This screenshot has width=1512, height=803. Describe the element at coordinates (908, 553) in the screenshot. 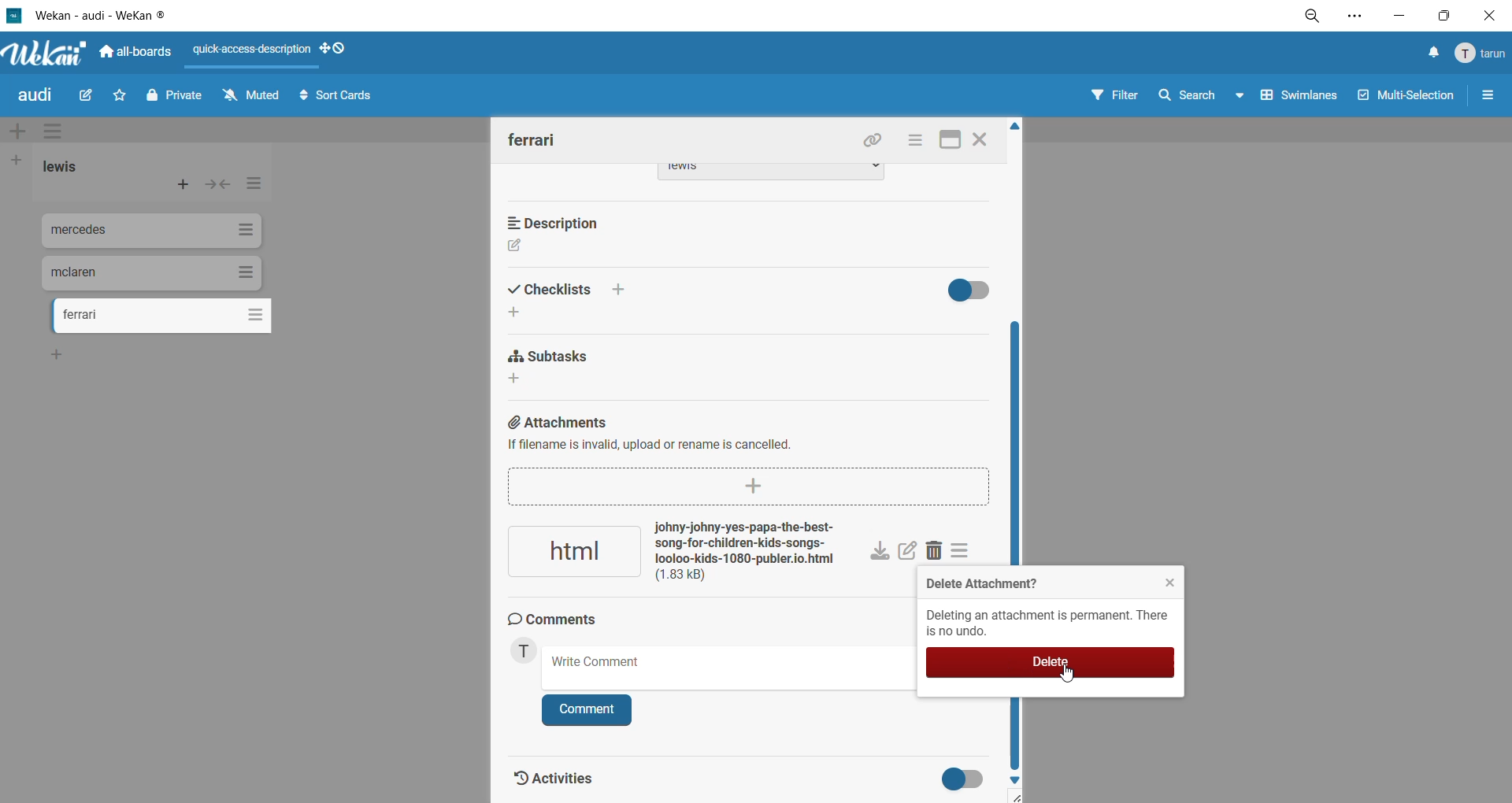

I see `edit` at that location.